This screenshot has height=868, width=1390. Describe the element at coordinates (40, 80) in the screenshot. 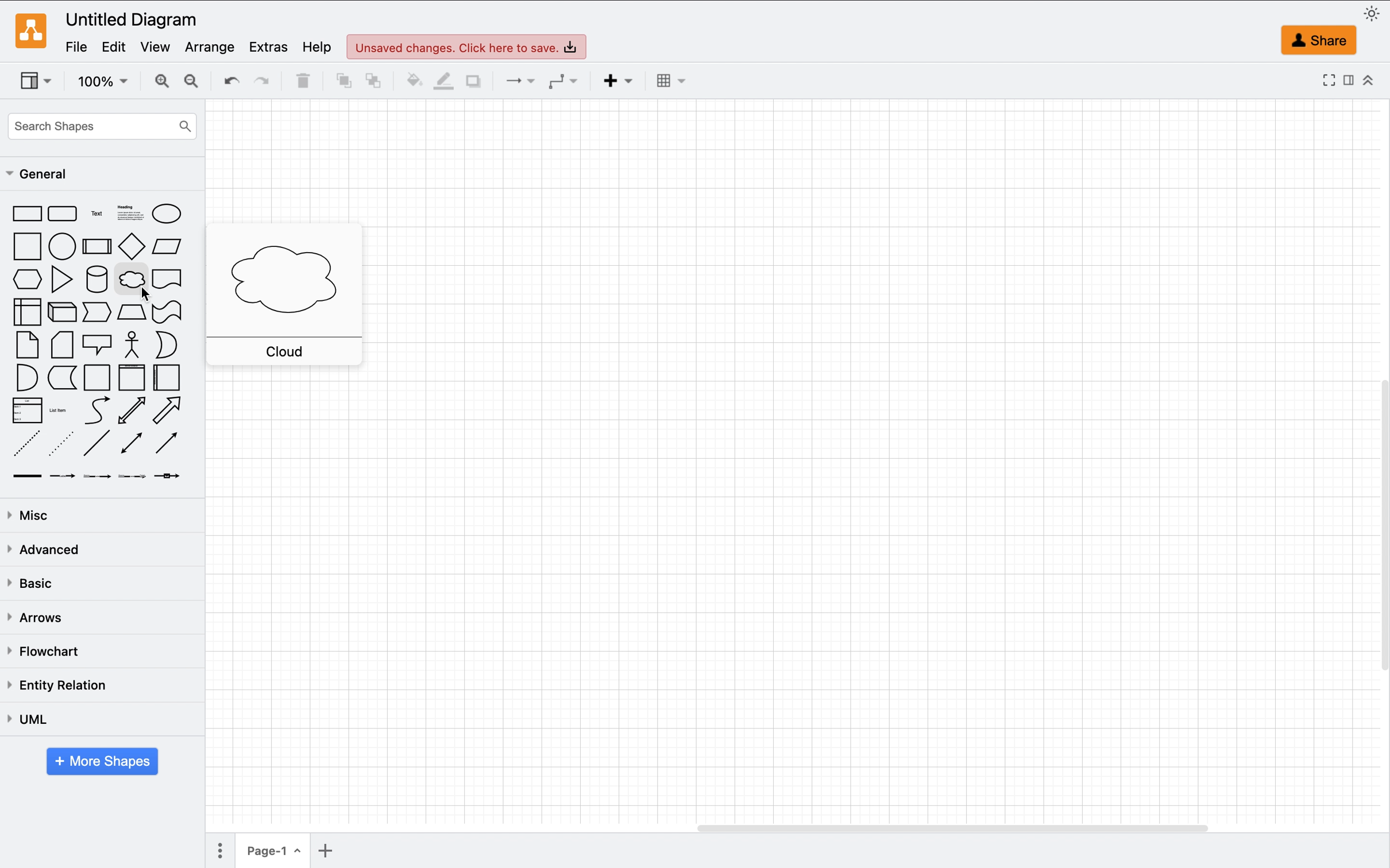

I see `view` at that location.